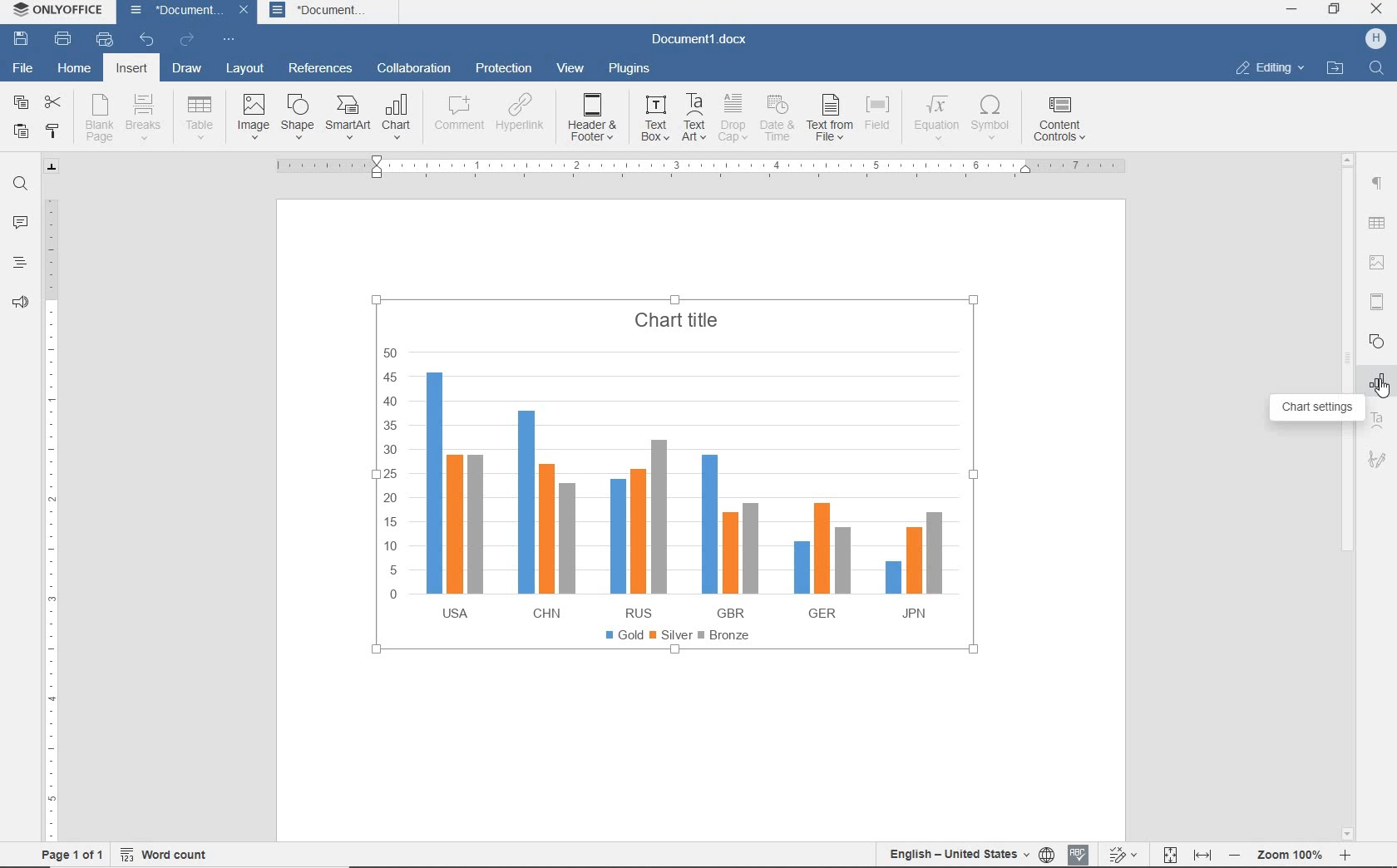 Image resolution: width=1397 pixels, height=868 pixels. What do you see at coordinates (706, 165) in the screenshot?
I see `ruler` at bounding box center [706, 165].